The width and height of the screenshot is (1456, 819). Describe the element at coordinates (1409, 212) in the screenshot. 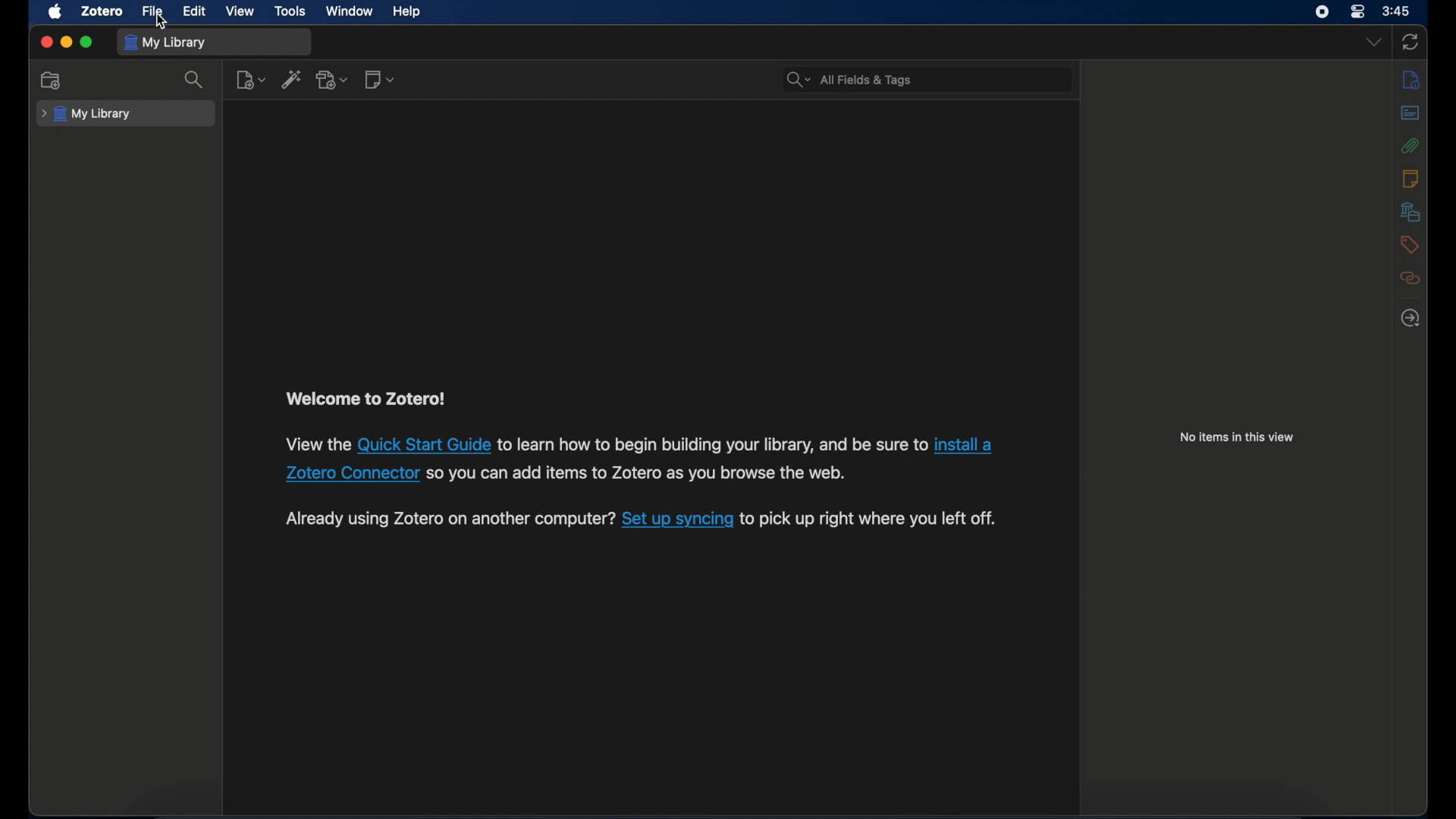

I see `libraries` at that location.